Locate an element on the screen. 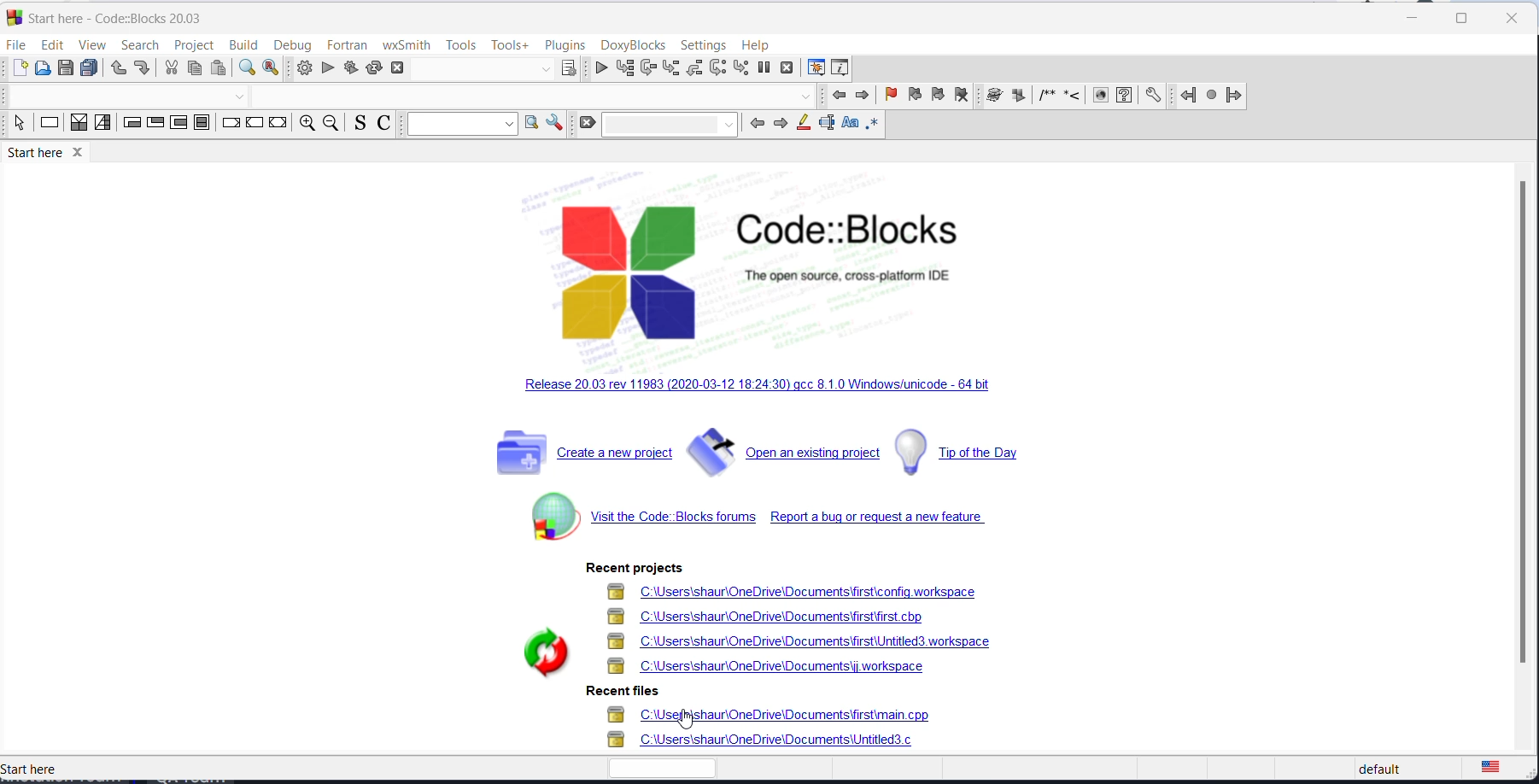 The width and height of the screenshot is (1539, 784). start here tab is located at coordinates (47, 152).